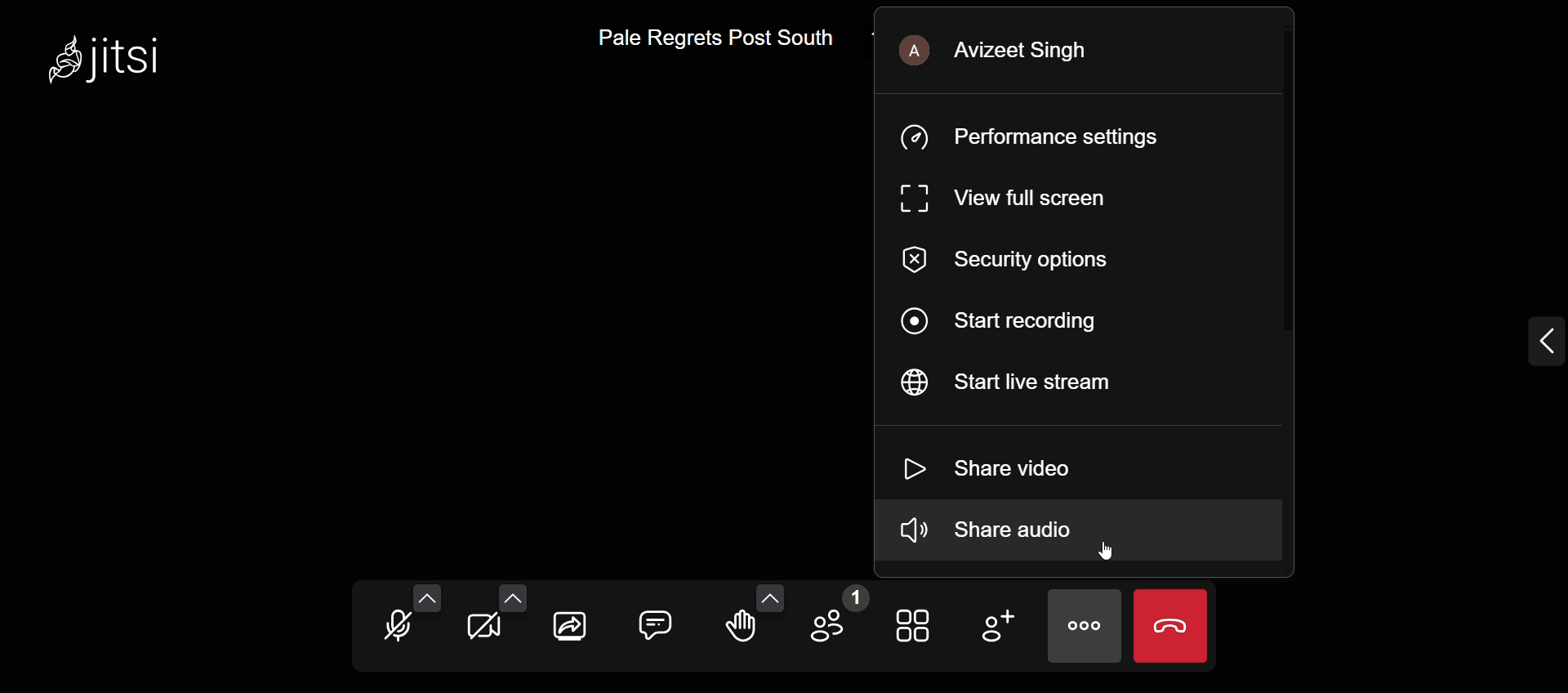 The height and width of the screenshot is (693, 1568). Describe the element at coordinates (1173, 626) in the screenshot. I see `end call` at that location.